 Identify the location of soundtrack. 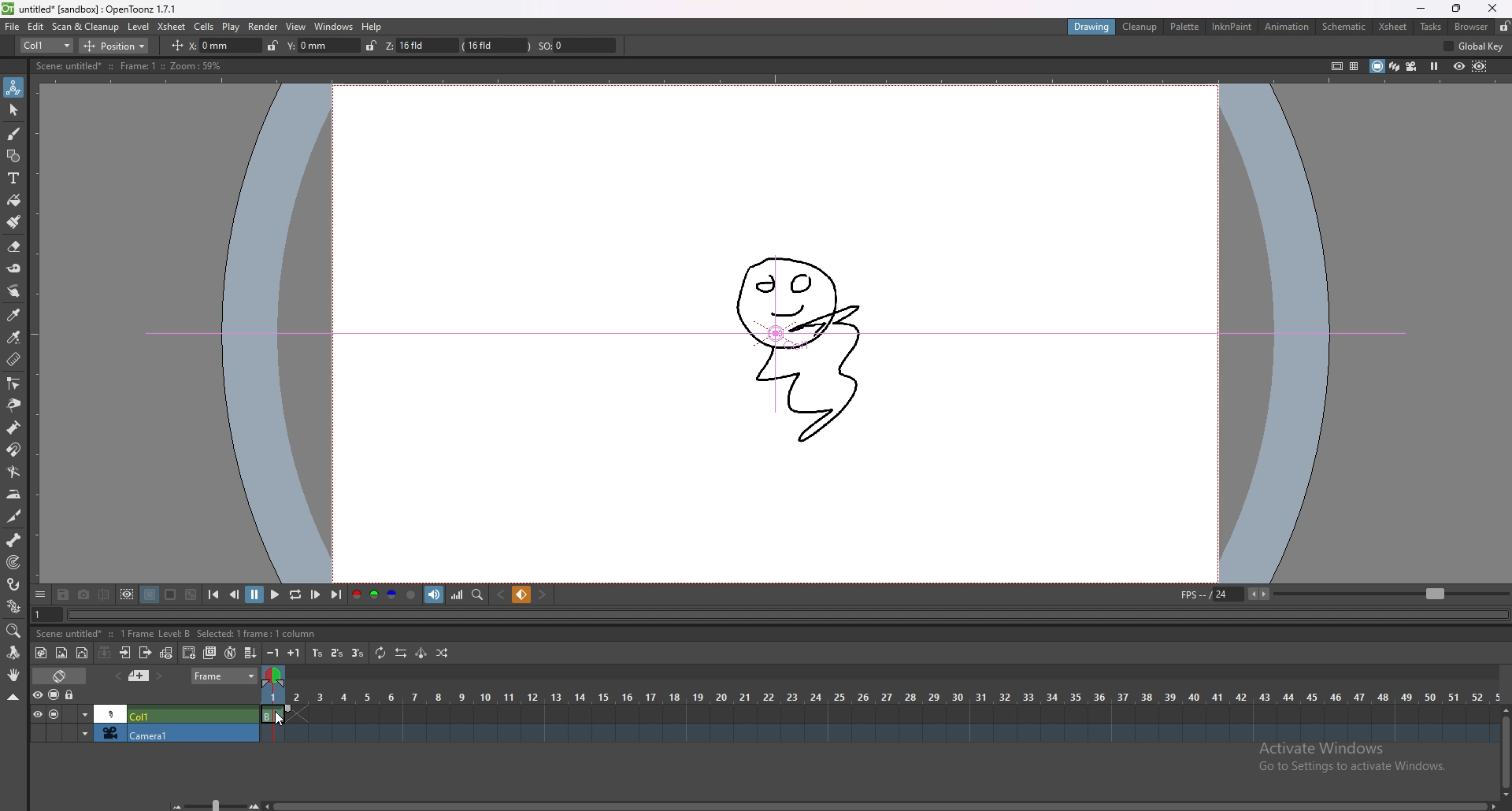
(436, 595).